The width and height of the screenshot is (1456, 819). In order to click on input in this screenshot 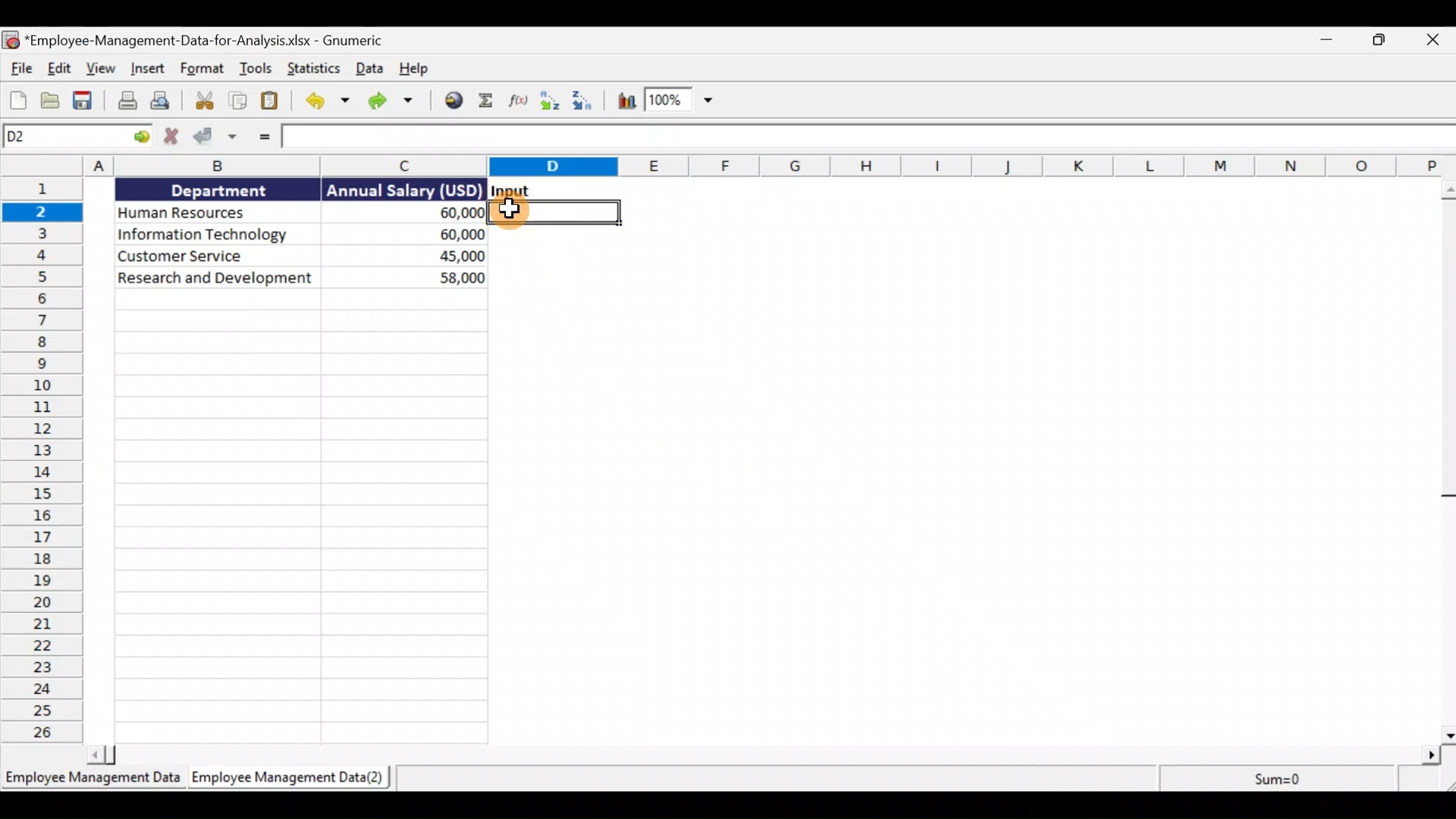, I will do `click(513, 190)`.